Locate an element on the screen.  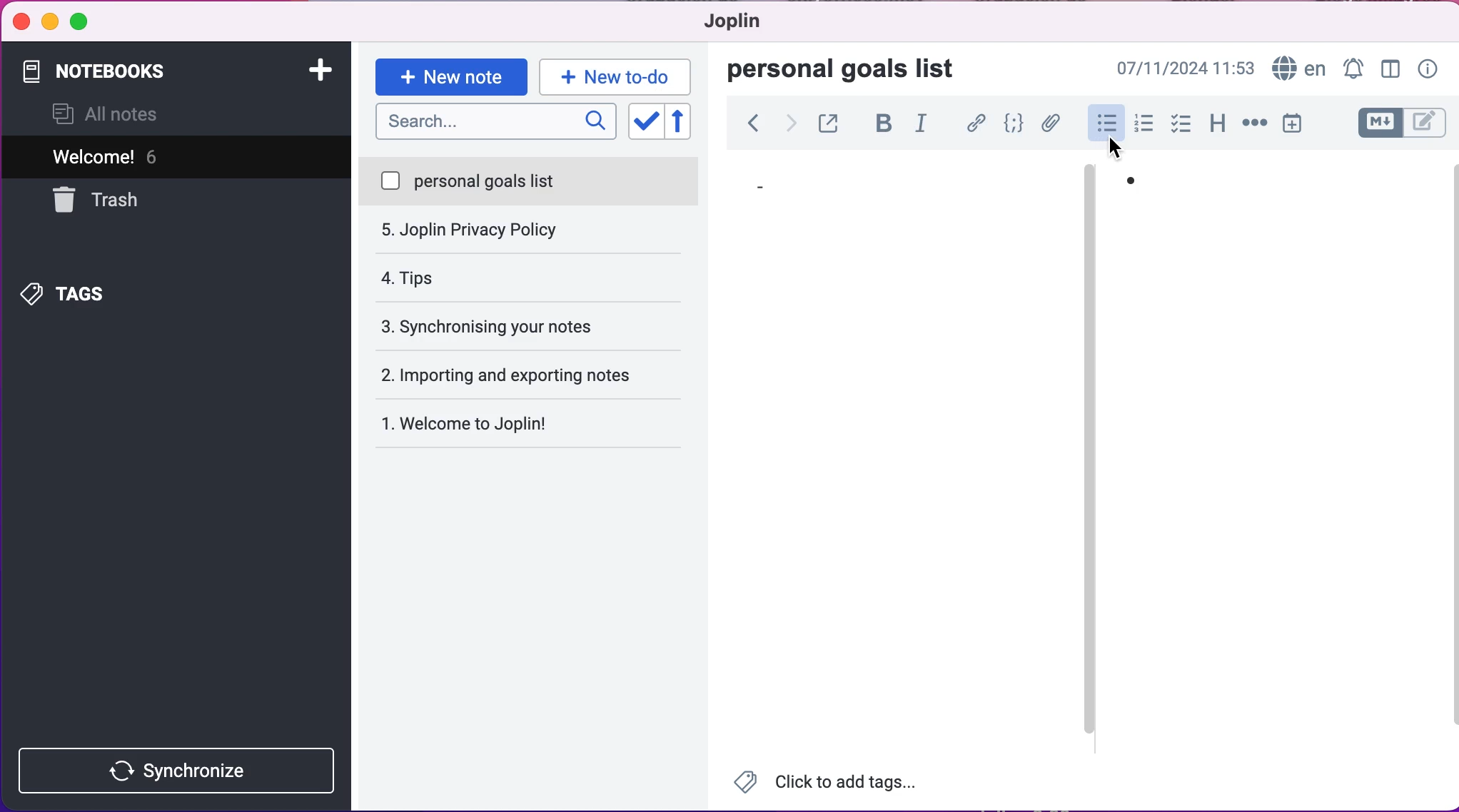
all notes is located at coordinates (114, 116).